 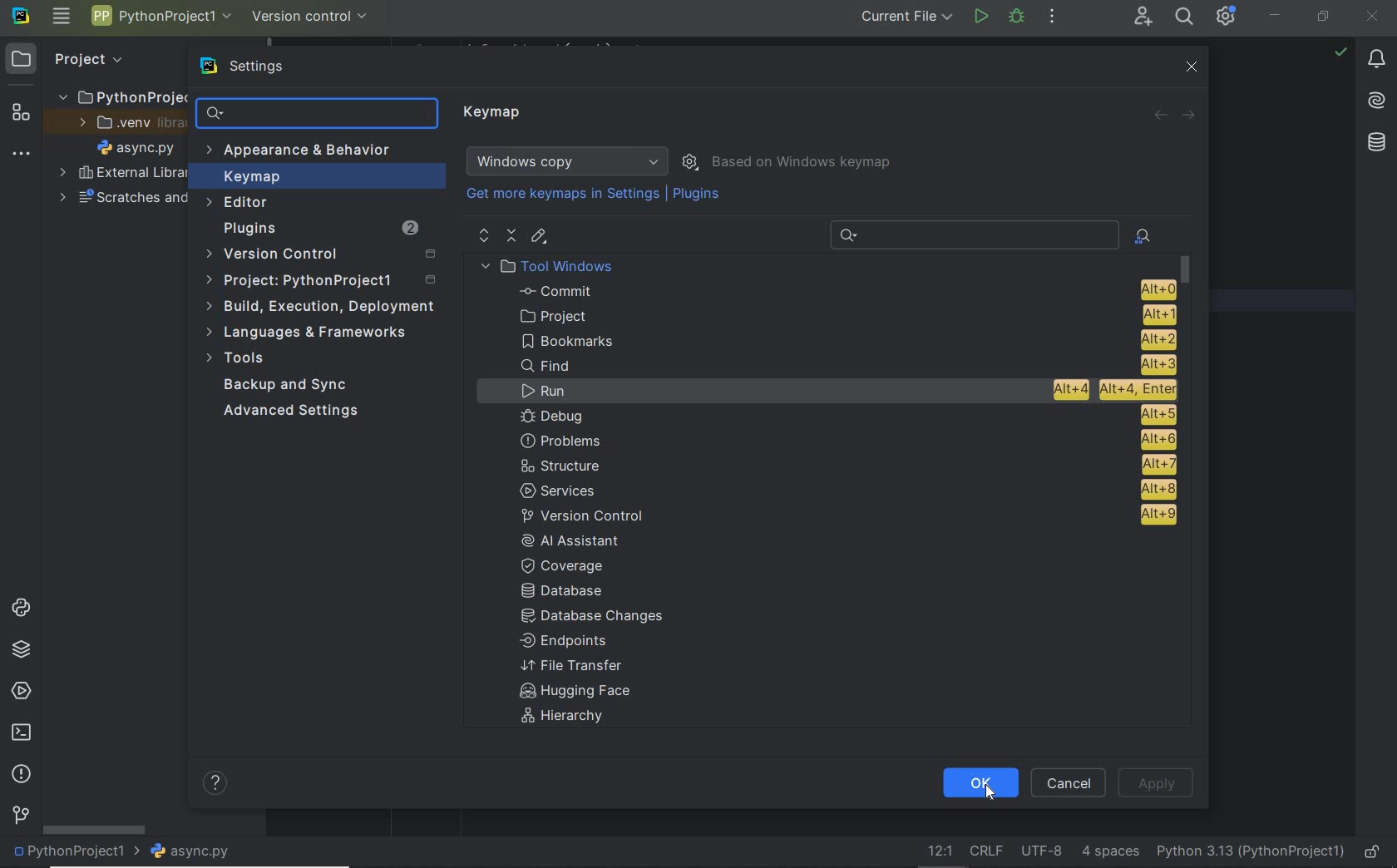 What do you see at coordinates (21, 17) in the screenshot?
I see `system name` at bounding box center [21, 17].